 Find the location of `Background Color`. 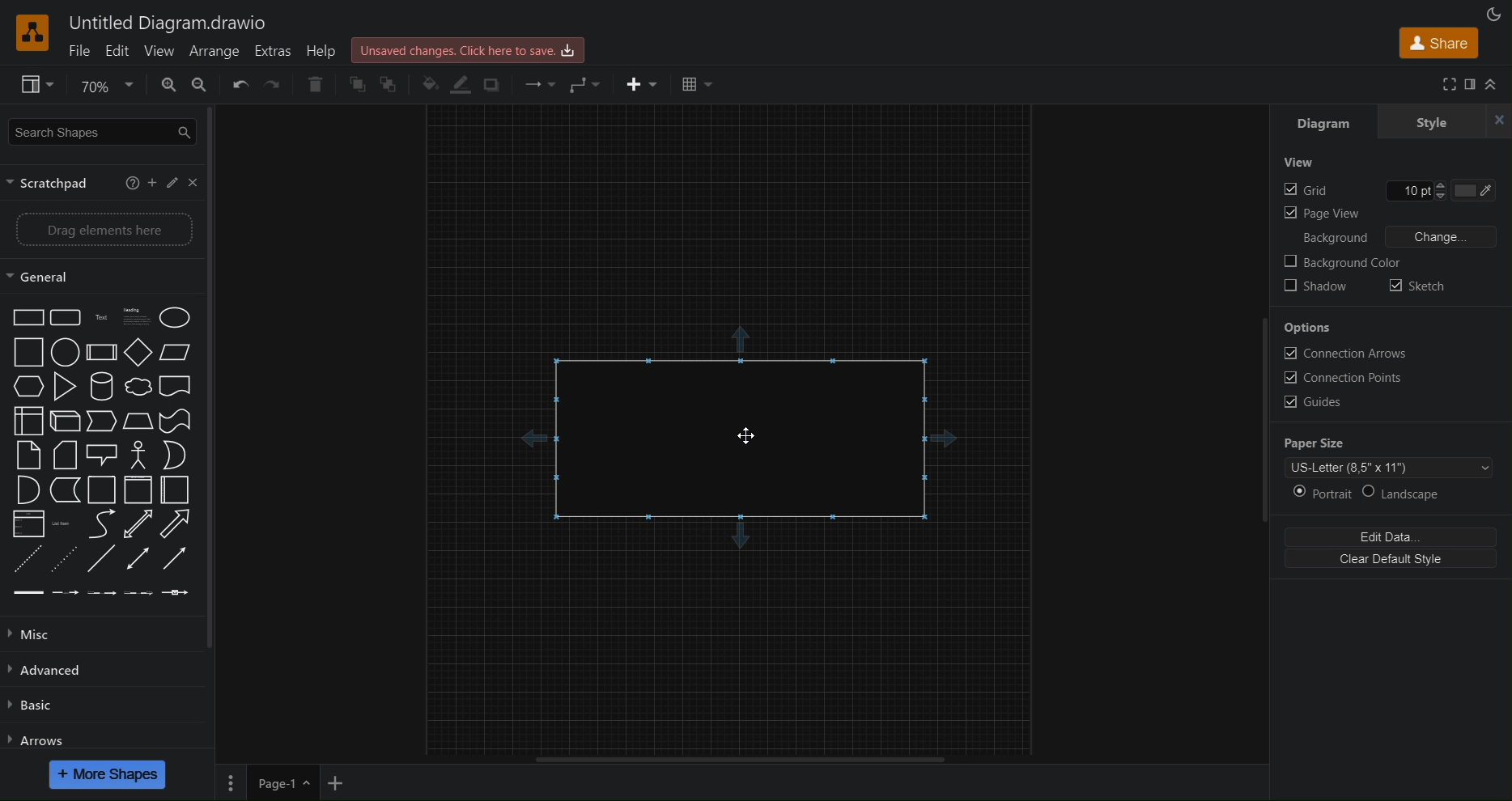

Background Color is located at coordinates (1342, 265).